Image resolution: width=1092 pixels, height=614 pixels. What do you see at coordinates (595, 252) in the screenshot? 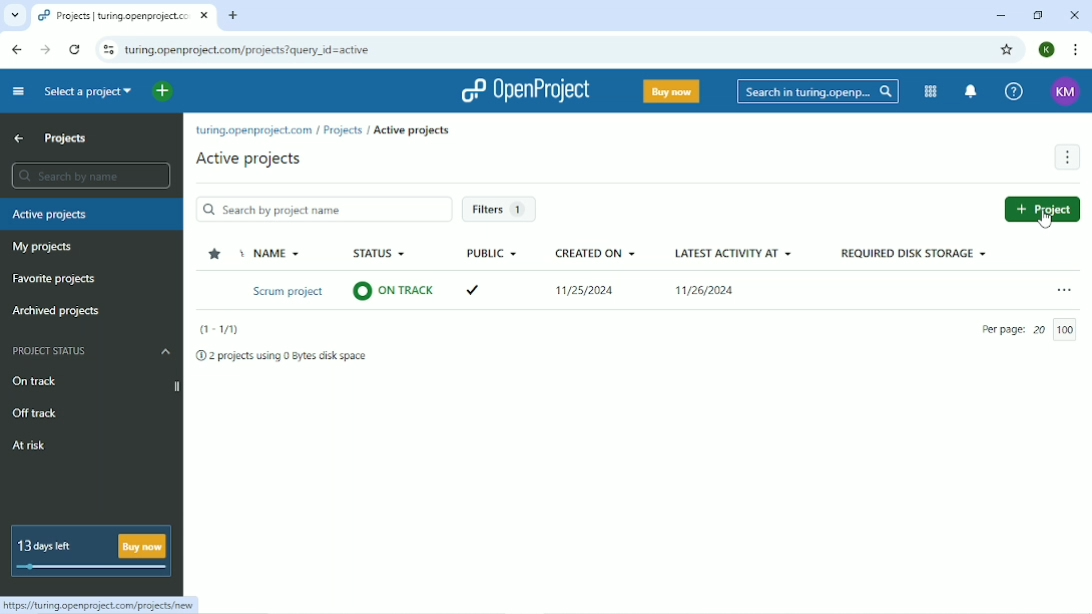
I see `Created on` at bounding box center [595, 252].